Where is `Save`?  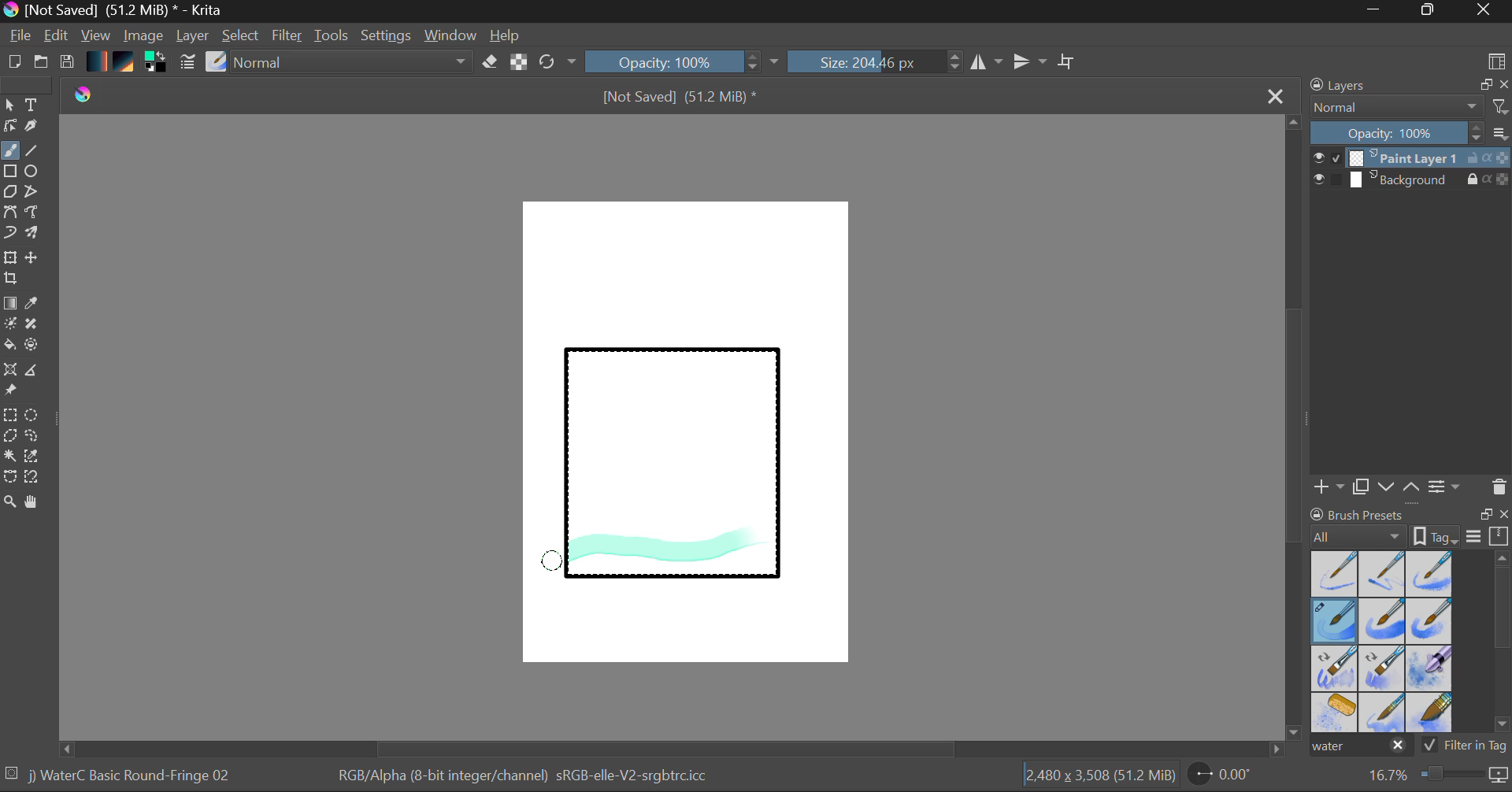 Save is located at coordinates (66, 63).